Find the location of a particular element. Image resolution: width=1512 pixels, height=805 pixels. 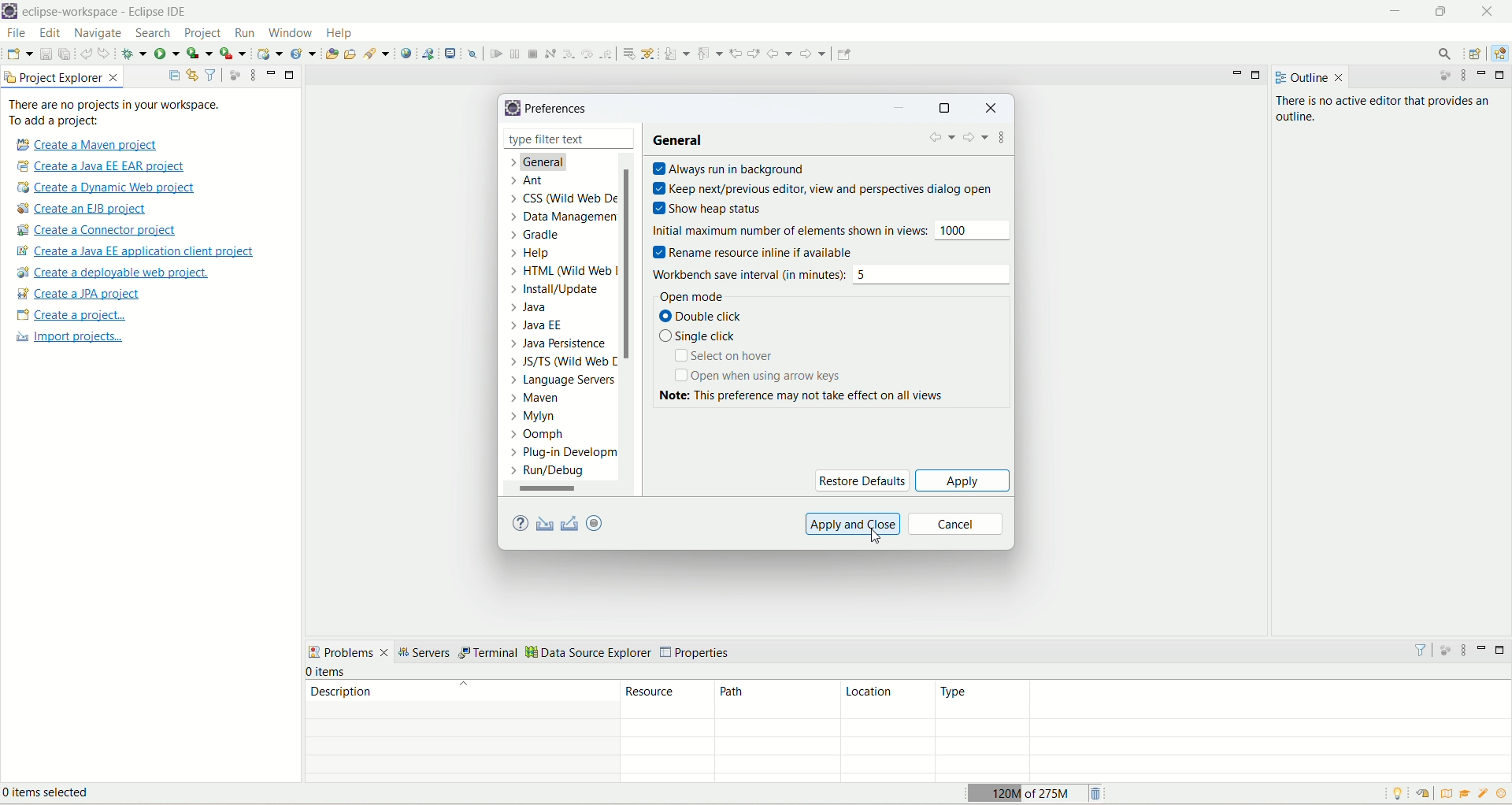

step into is located at coordinates (567, 54).